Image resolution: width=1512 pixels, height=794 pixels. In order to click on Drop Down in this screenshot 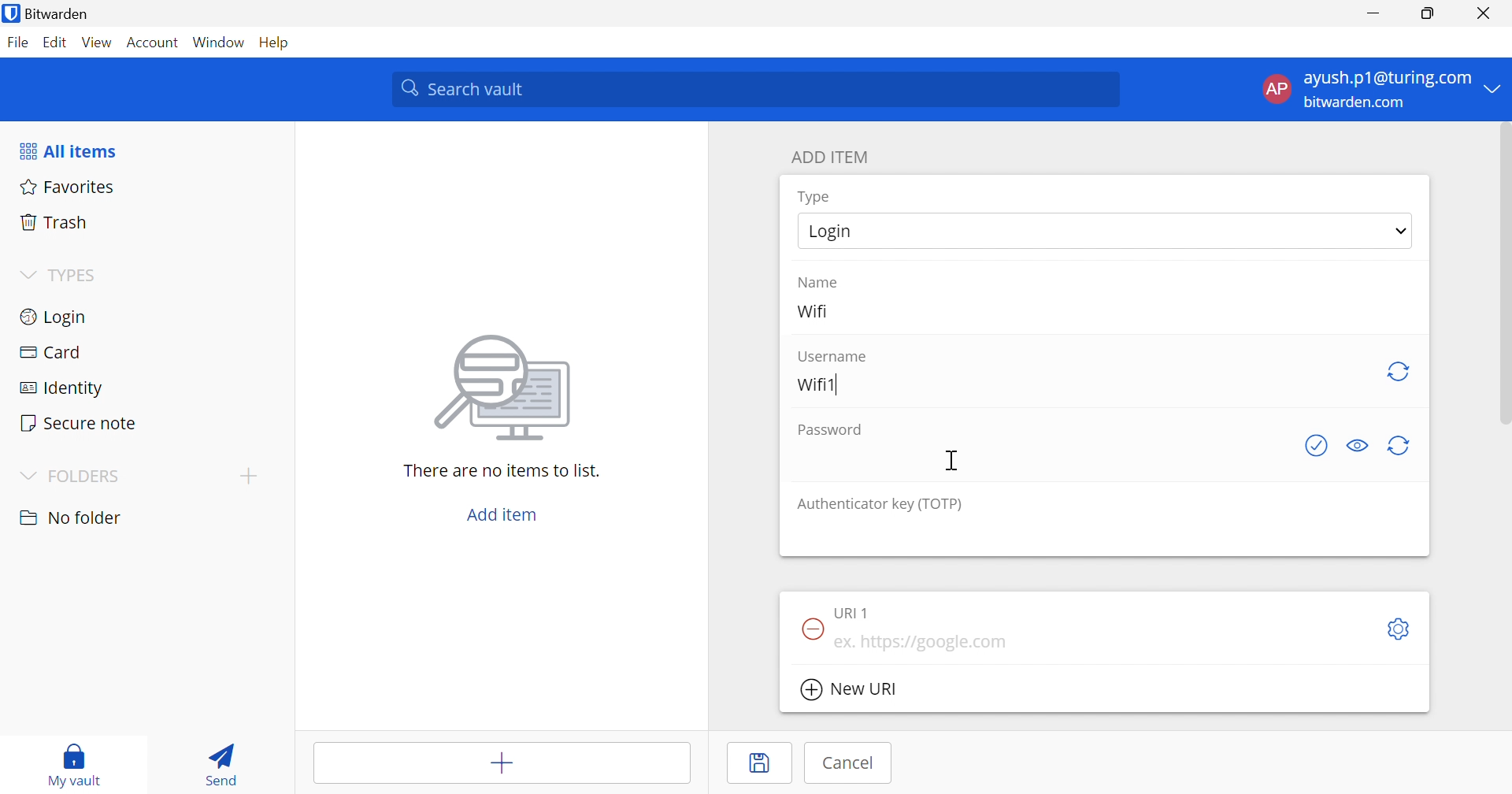, I will do `click(1494, 87)`.